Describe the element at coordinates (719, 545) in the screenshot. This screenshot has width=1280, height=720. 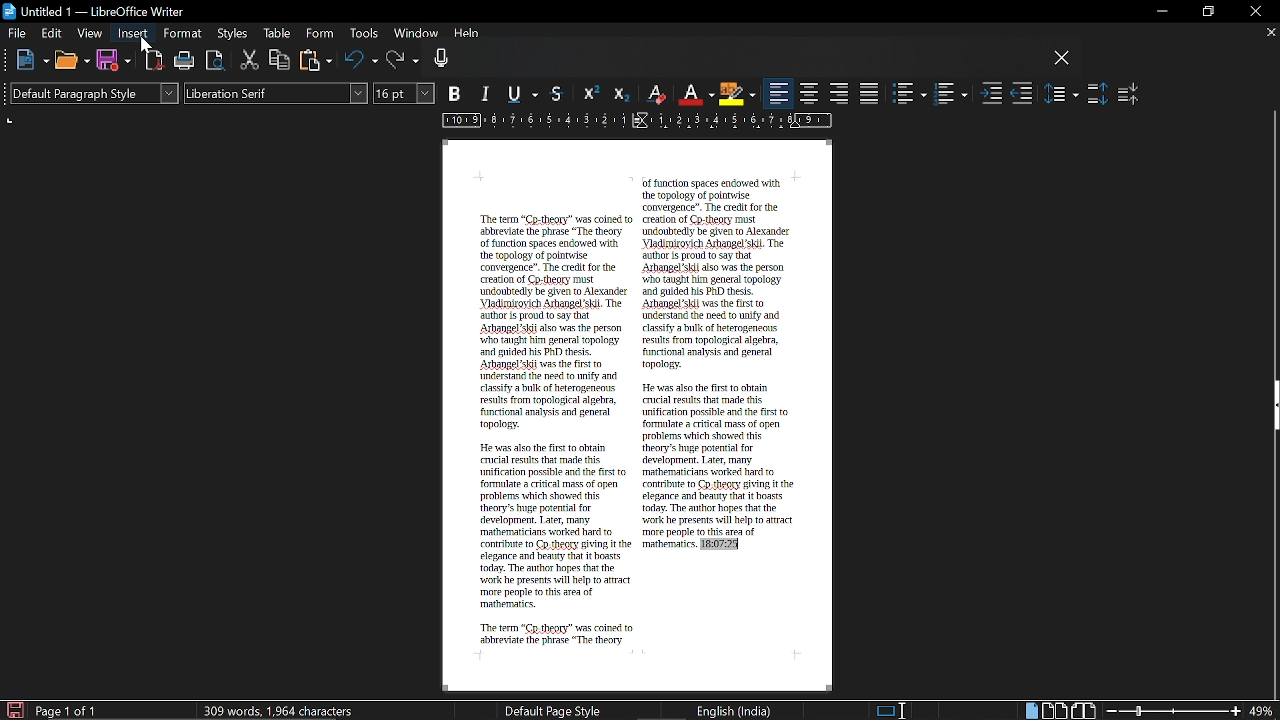
I see `18:07:25` at that location.